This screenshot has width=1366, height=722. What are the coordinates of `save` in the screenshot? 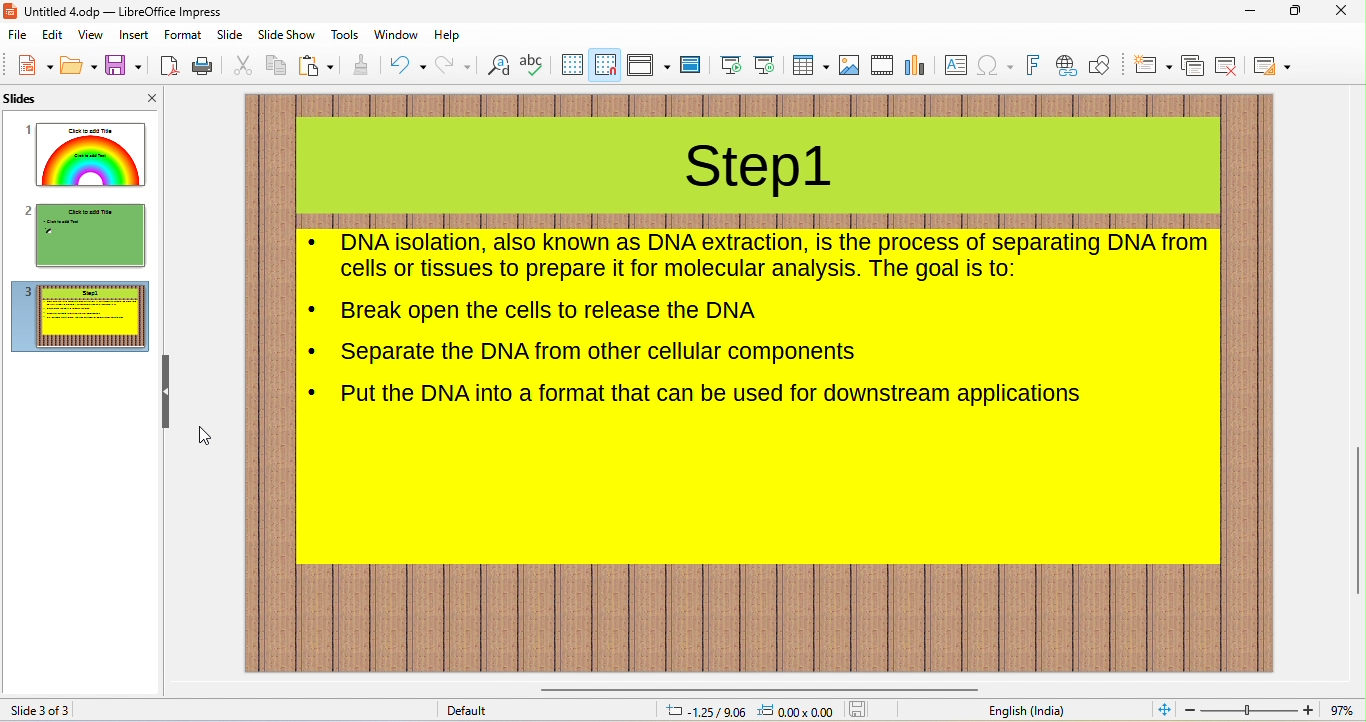 It's located at (861, 710).